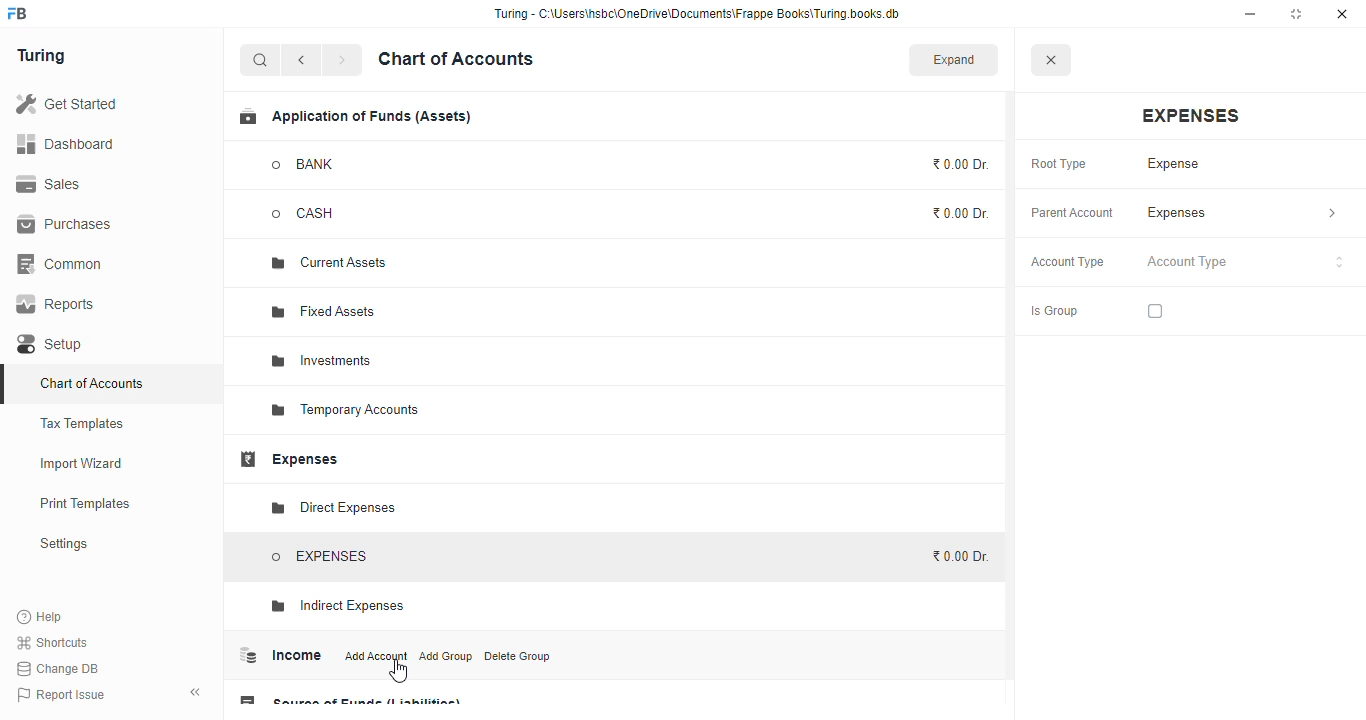 This screenshot has width=1366, height=720. I want to click on BANK , so click(304, 165).